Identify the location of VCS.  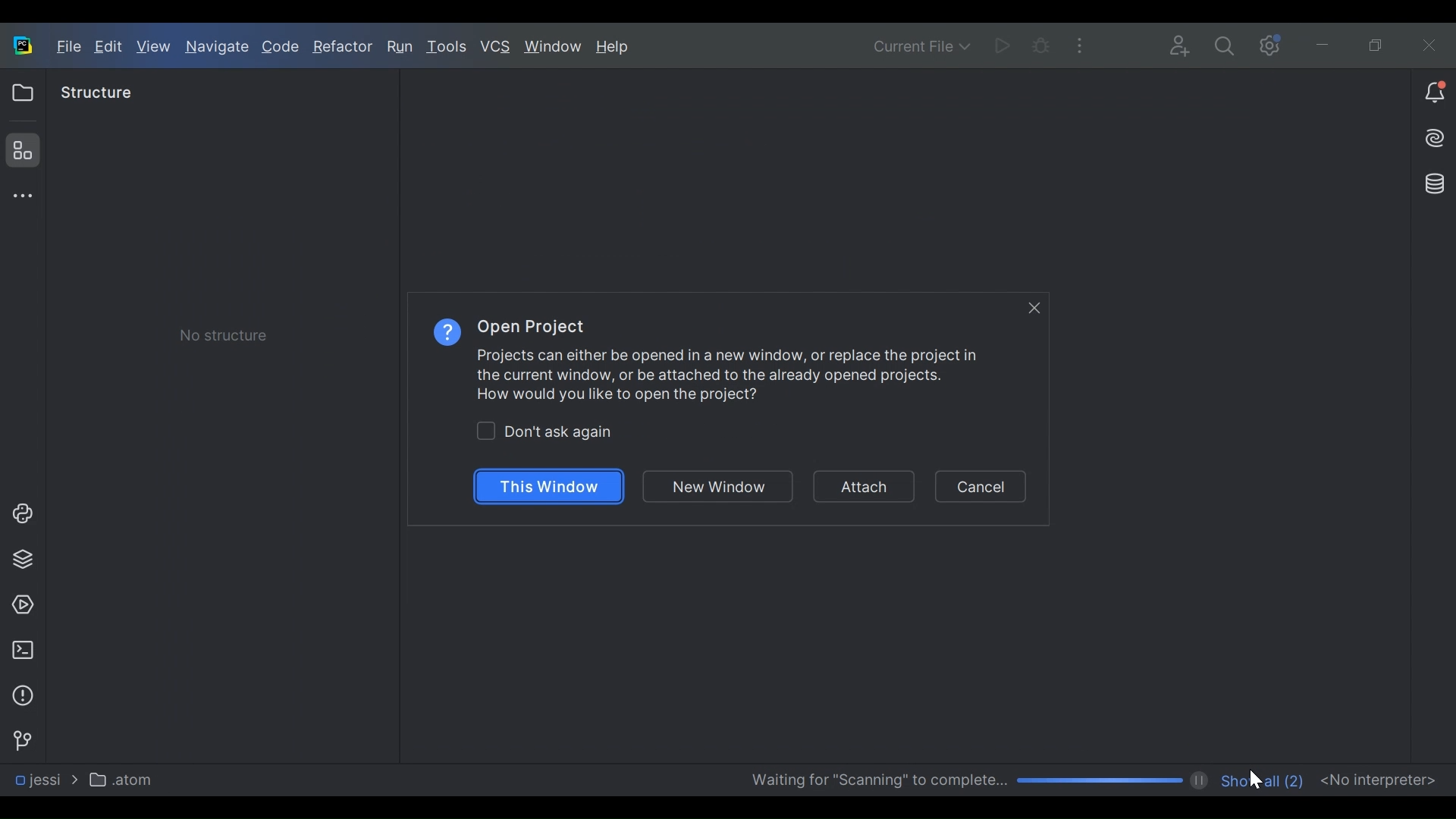
(495, 47).